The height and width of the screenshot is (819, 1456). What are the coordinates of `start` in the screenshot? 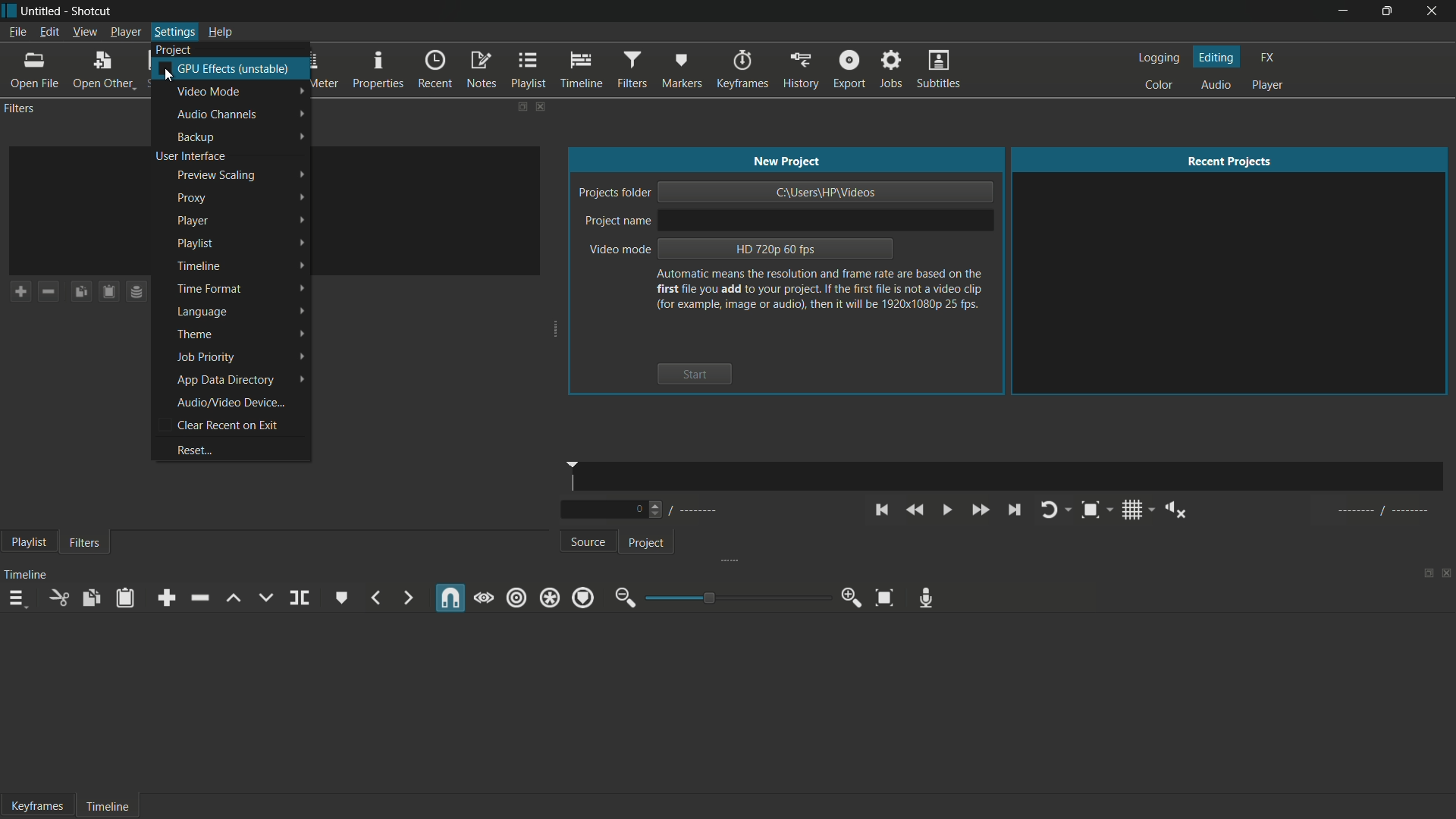 It's located at (694, 374).